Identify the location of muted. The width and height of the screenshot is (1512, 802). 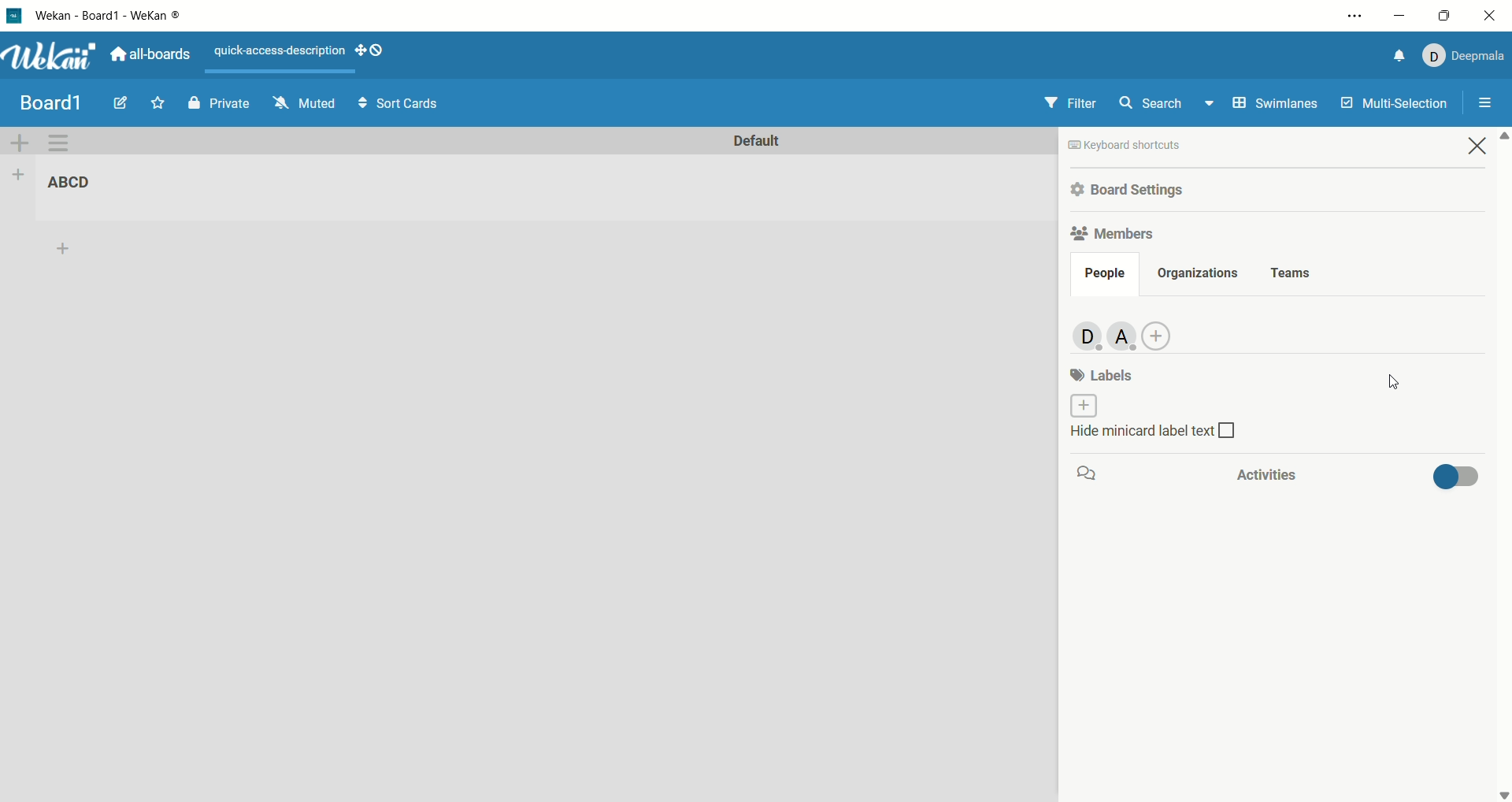
(305, 103).